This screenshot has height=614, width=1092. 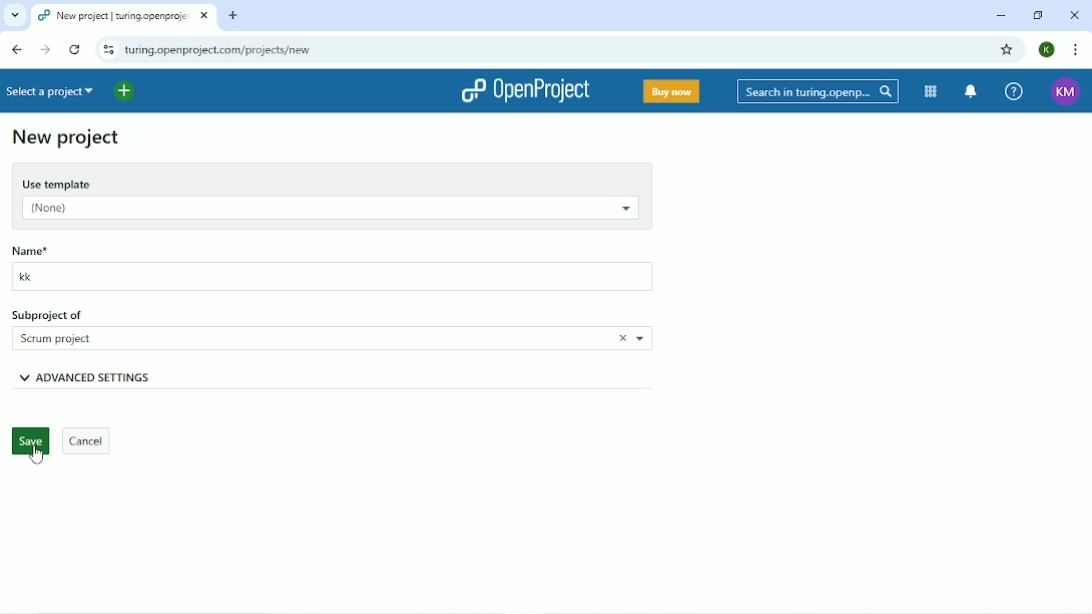 What do you see at coordinates (327, 210) in the screenshot?
I see `(None)` at bounding box center [327, 210].